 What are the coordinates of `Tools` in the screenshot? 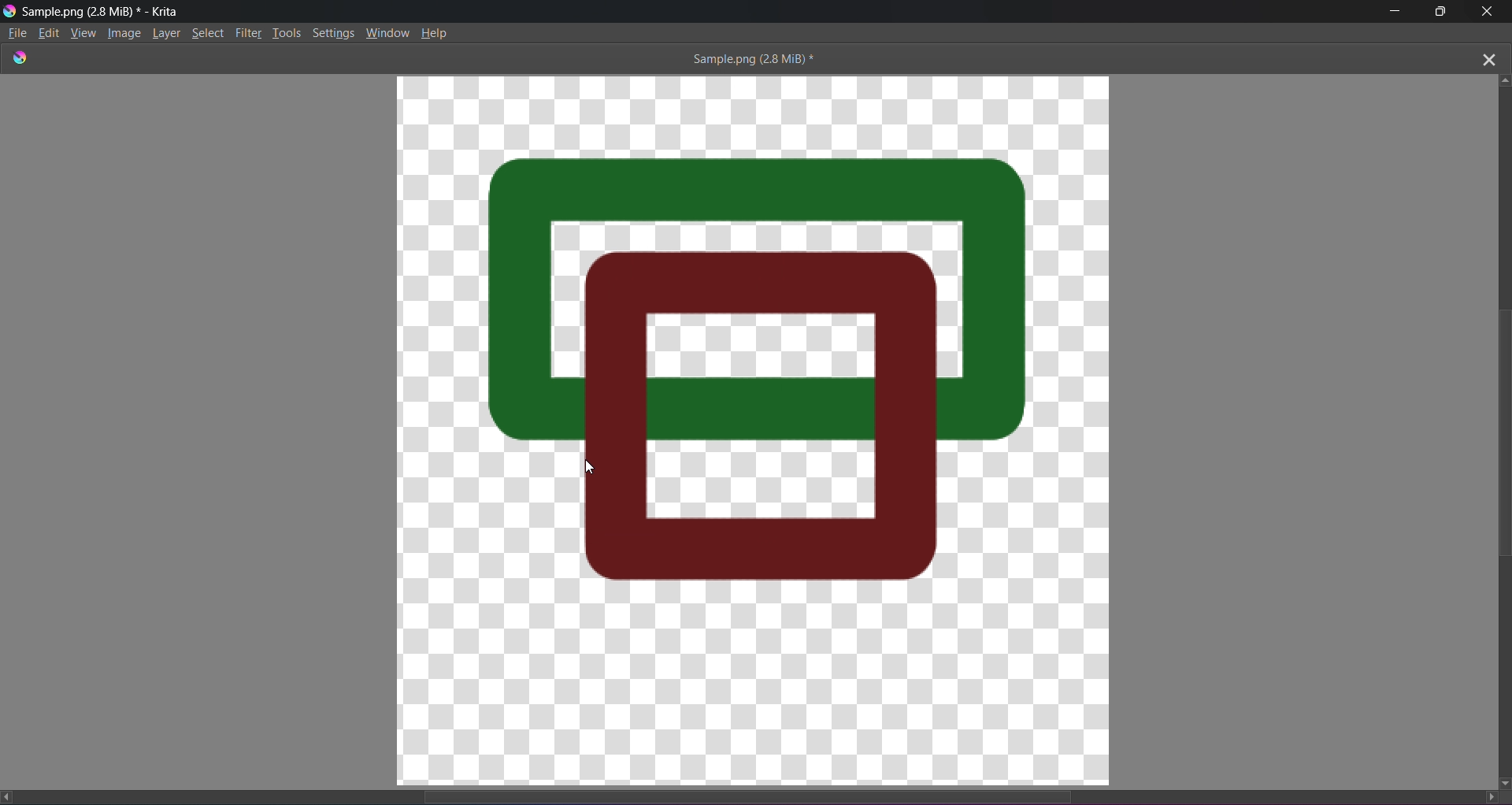 It's located at (288, 32).